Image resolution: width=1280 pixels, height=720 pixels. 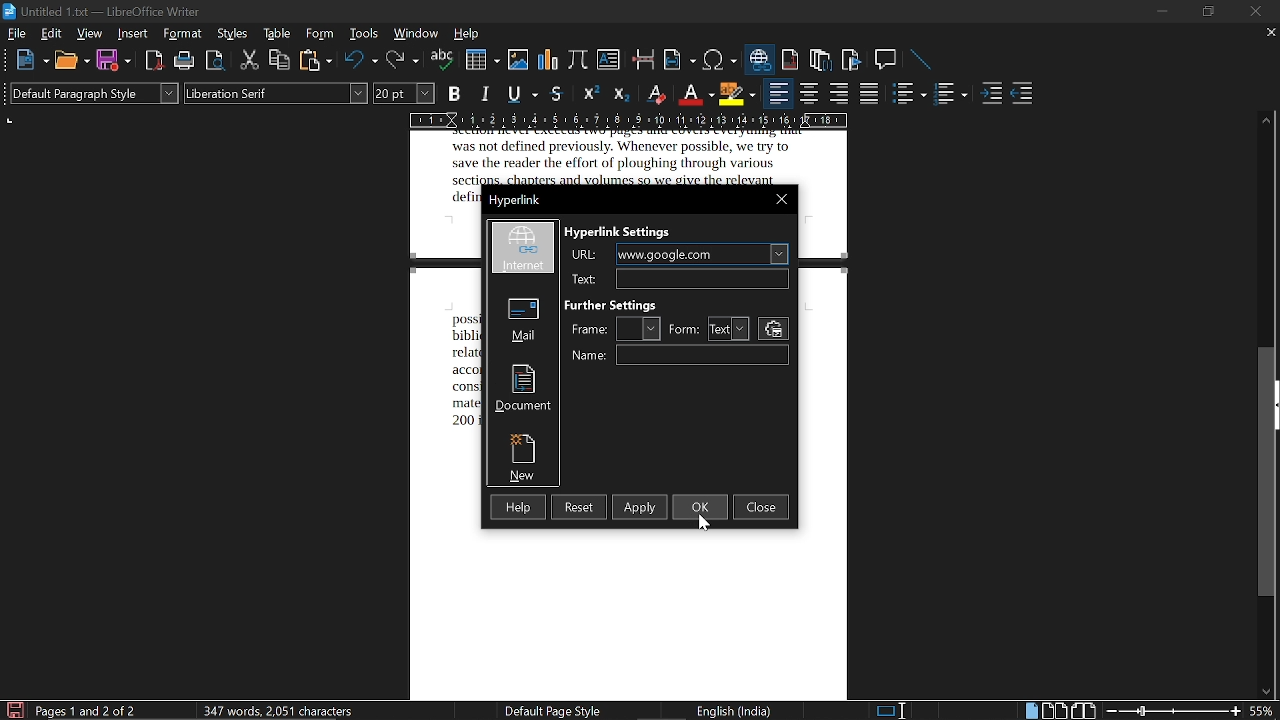 I want to click on move down, so click(x=1267, y=693).